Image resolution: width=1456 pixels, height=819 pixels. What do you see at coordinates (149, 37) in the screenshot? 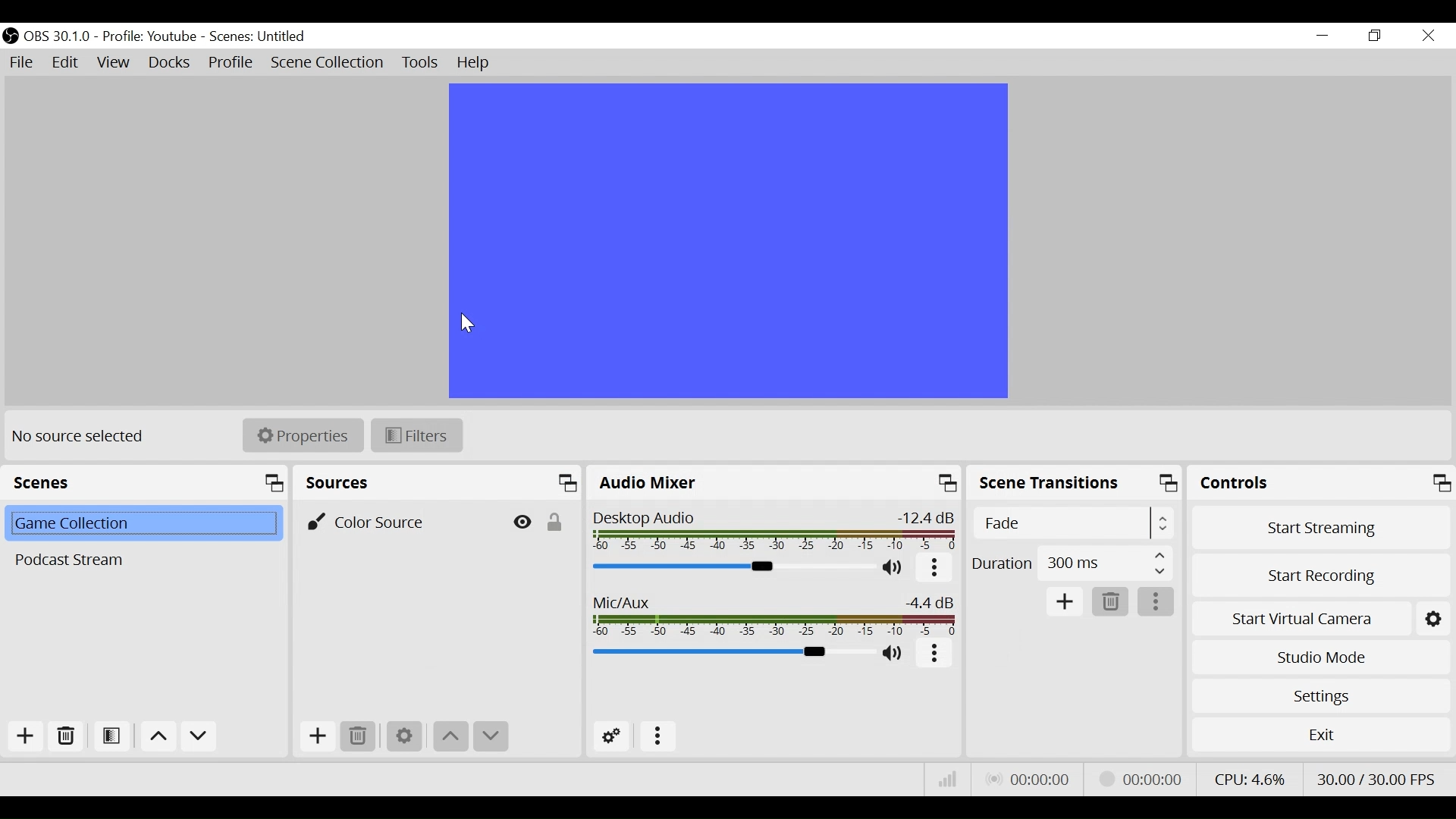
I see `profile` at bounding box center [149, 37].